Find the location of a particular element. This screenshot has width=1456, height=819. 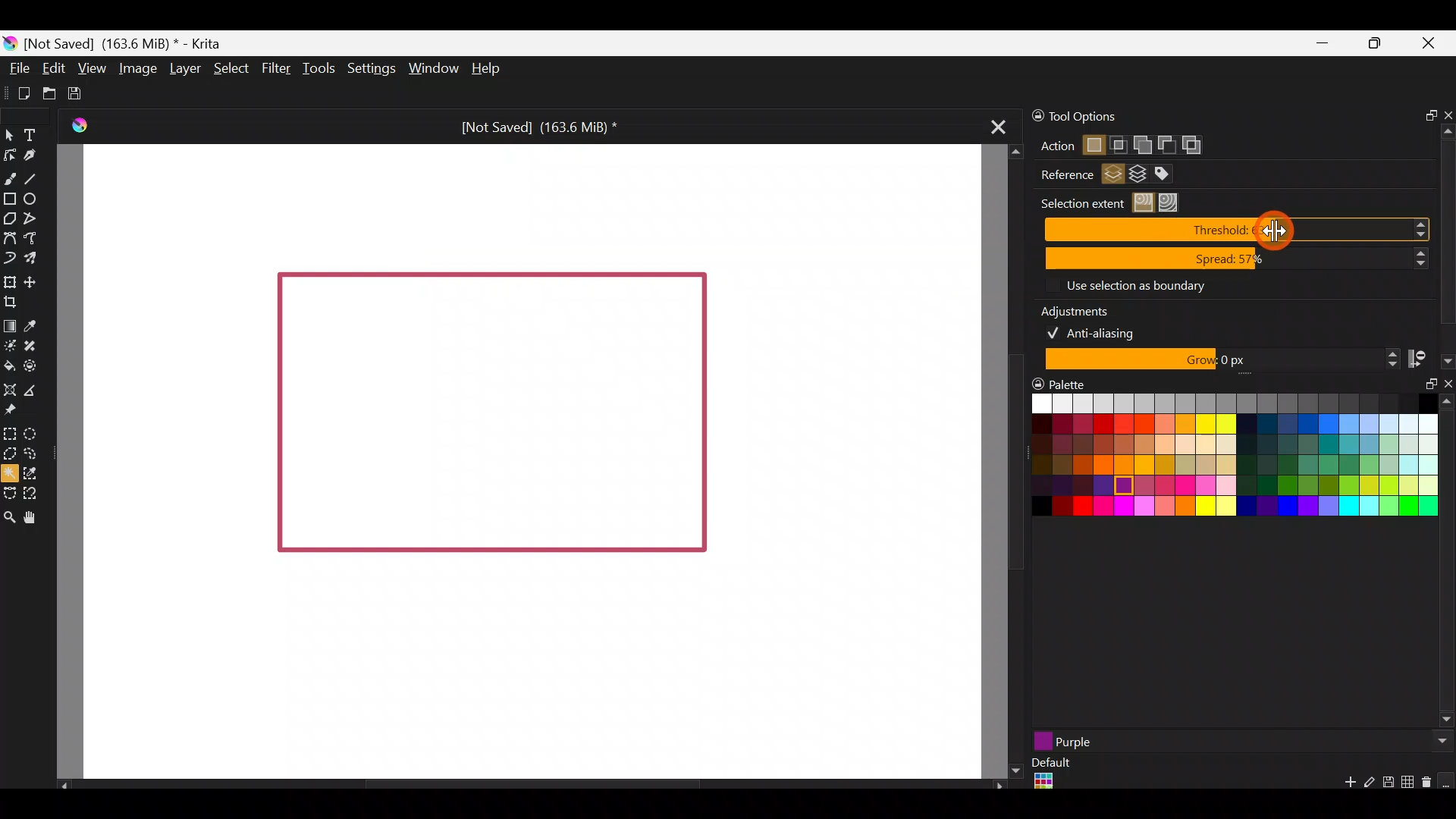

Crop the image to an area is located at coordinates (17, 303).